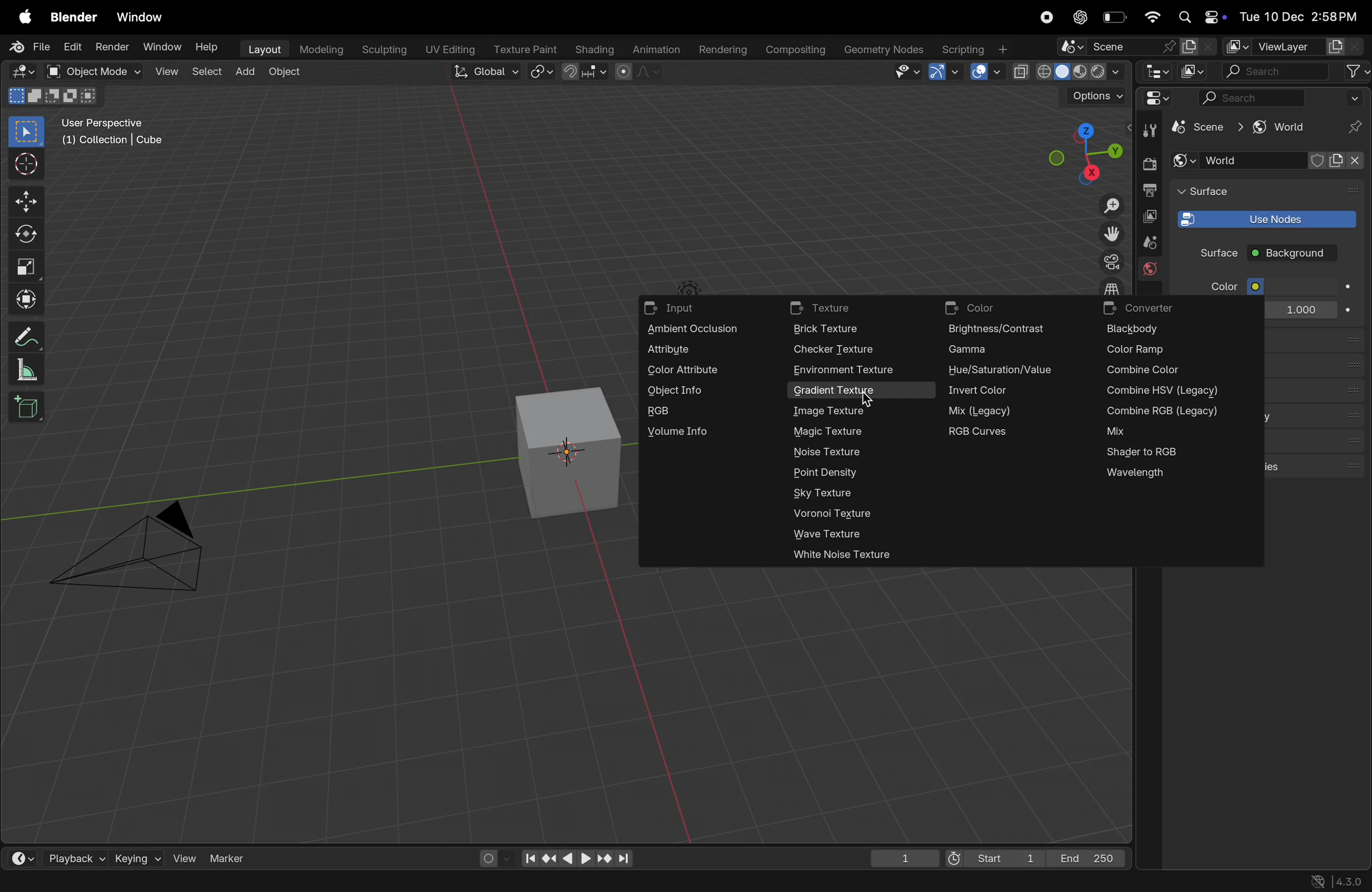  What do you see at coordinates (1163, 432) in the screenshot?
I see `Rework` at bounding box center [1163, 432].